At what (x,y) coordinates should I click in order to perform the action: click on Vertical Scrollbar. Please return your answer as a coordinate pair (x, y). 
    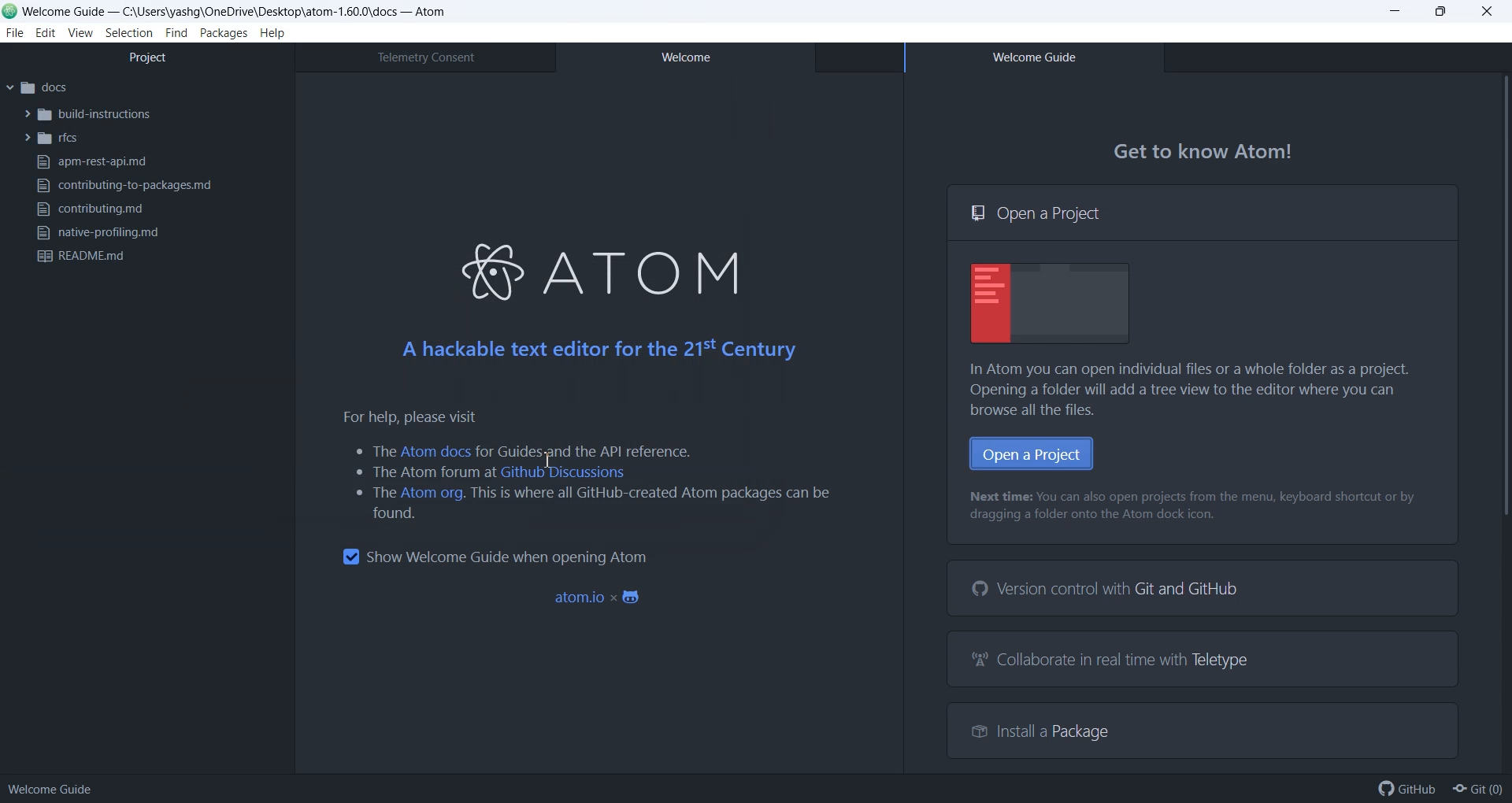
    Looking at the image, I should click on (1499, 420).